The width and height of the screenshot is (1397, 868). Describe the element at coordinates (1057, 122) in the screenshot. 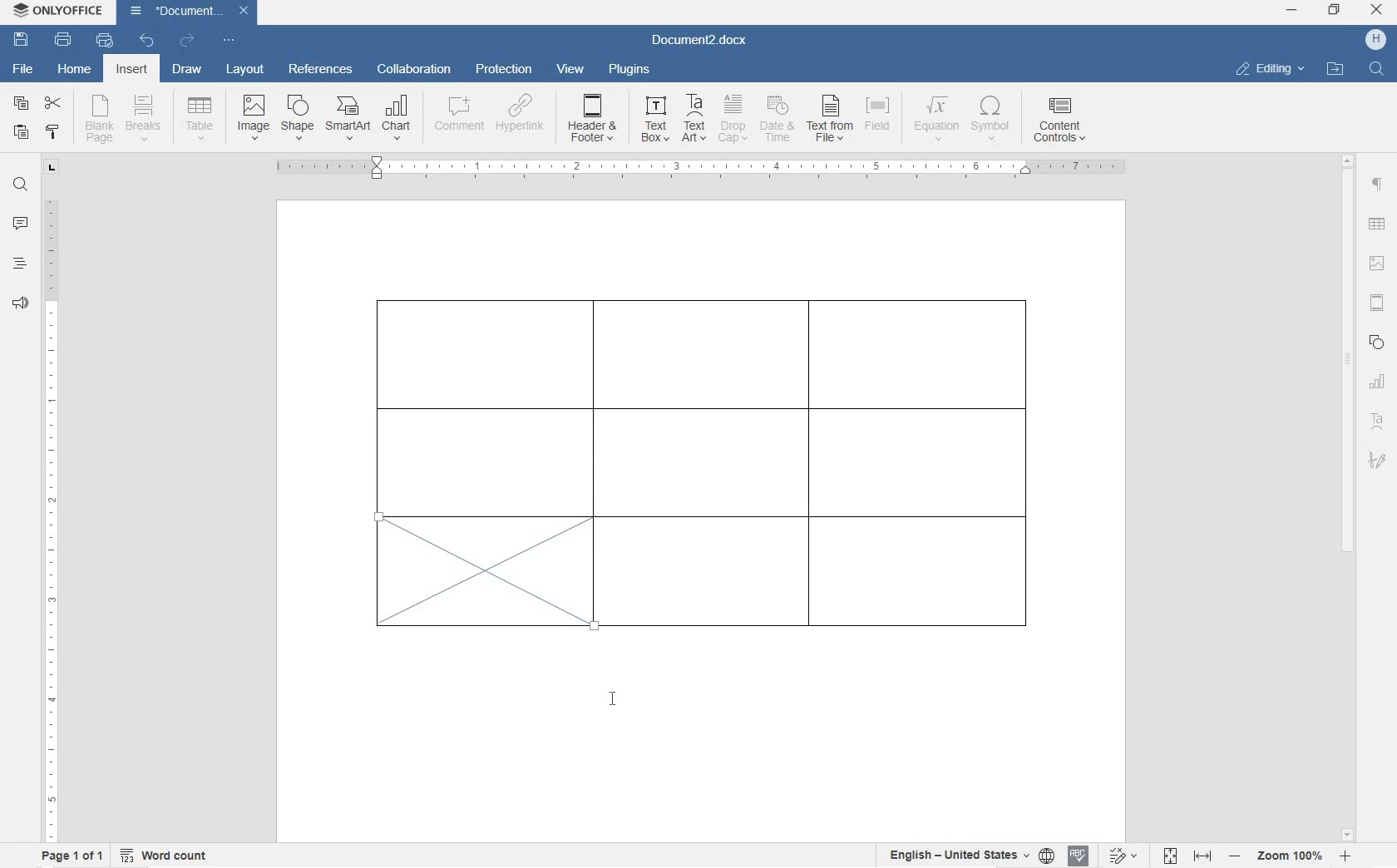

I see `CONTENT CONTROLS` at that location.